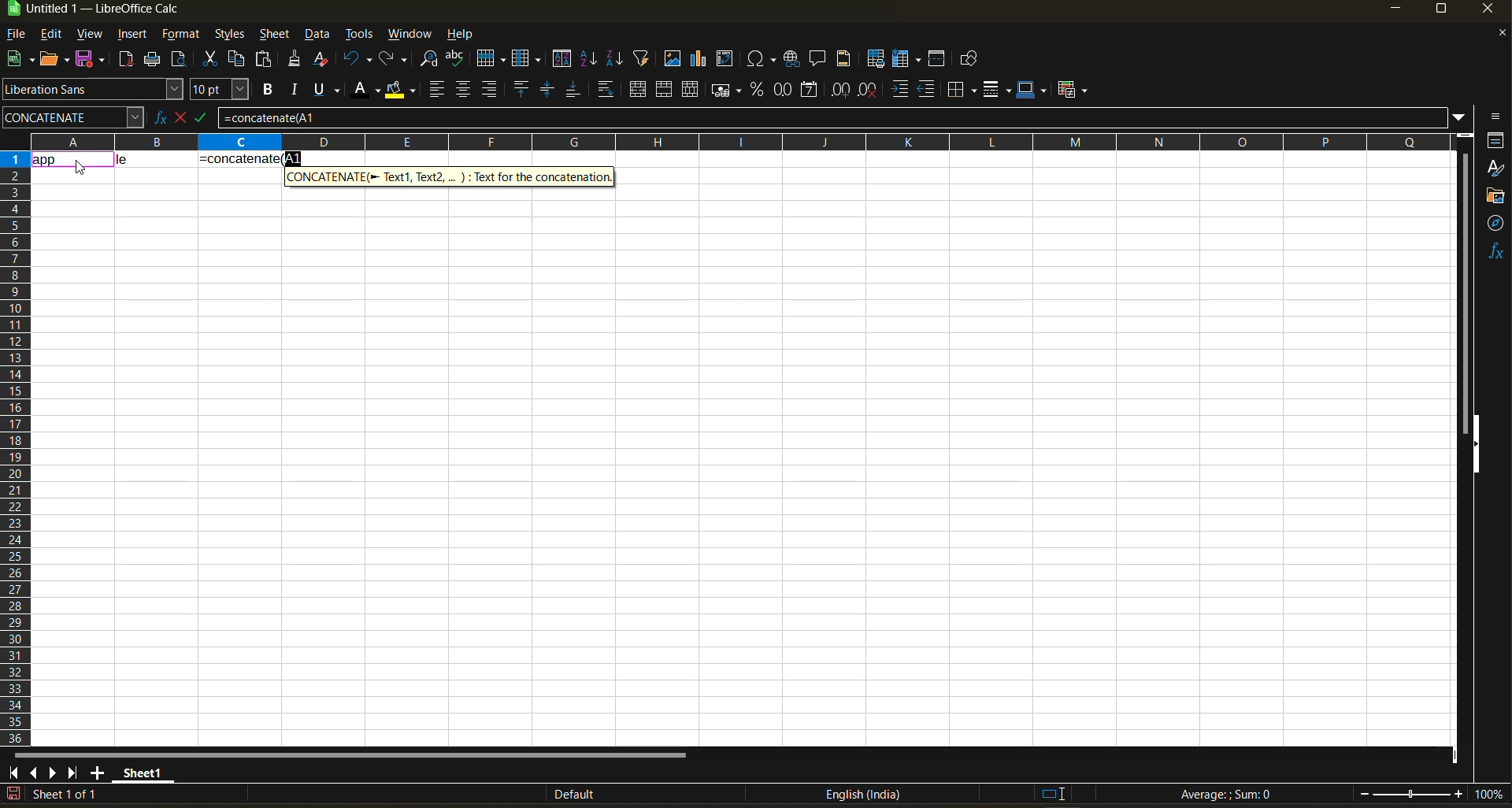  I want to click on export directly as pdf, so click(125, 61).